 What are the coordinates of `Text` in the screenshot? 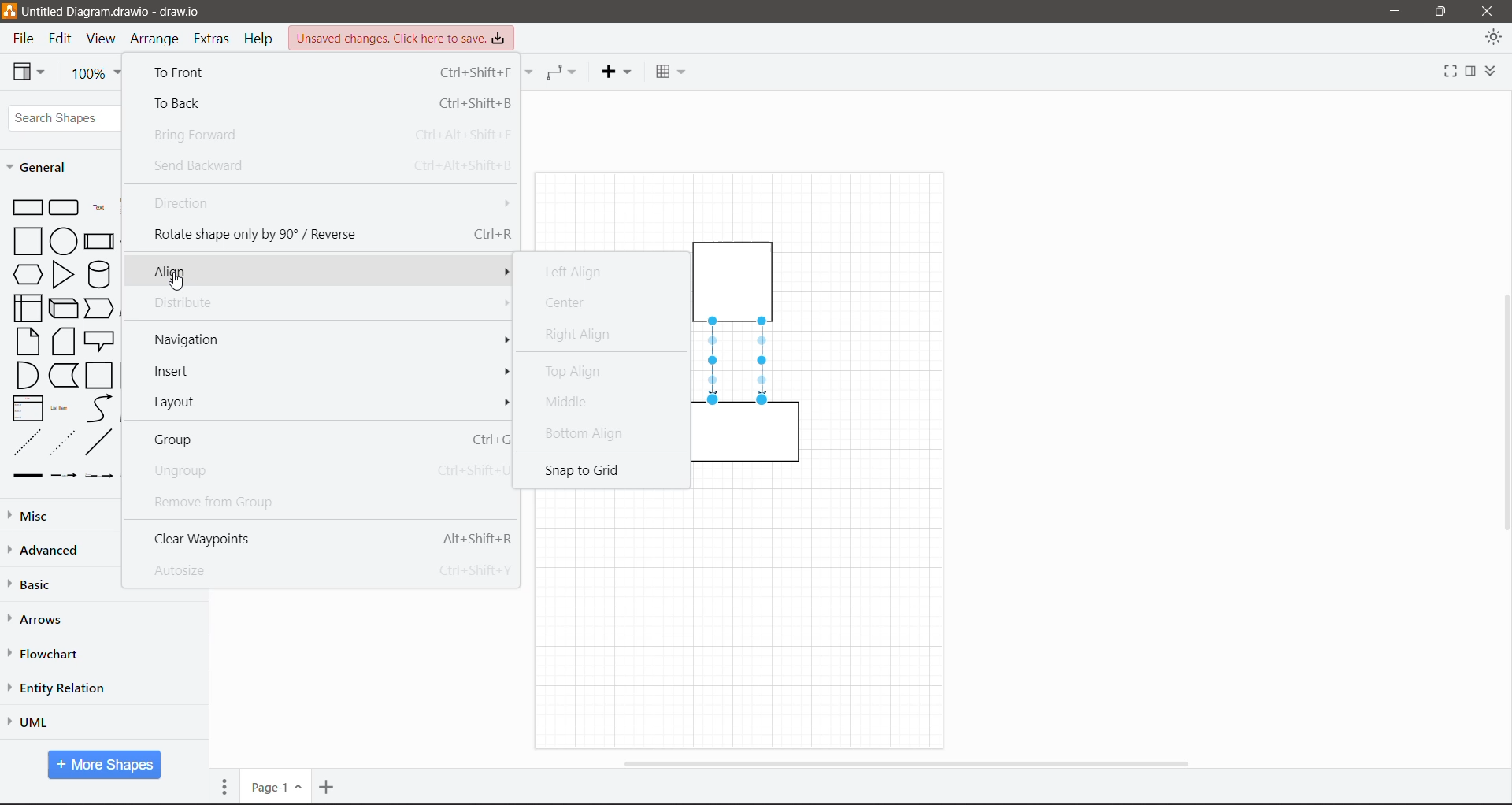 It's located at (98, 206).